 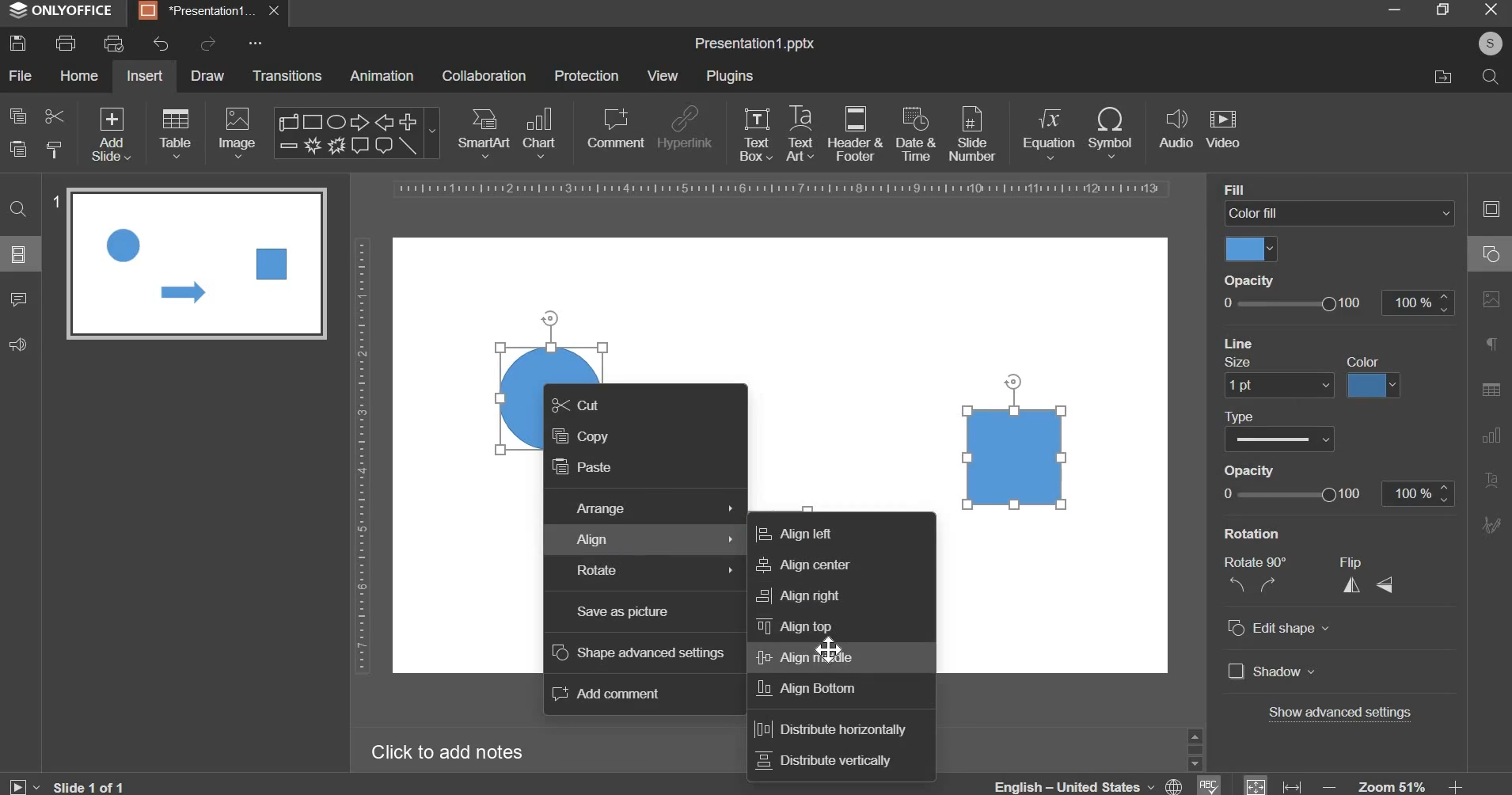 I want to click on text art setting, so click(x=1490, y=478).